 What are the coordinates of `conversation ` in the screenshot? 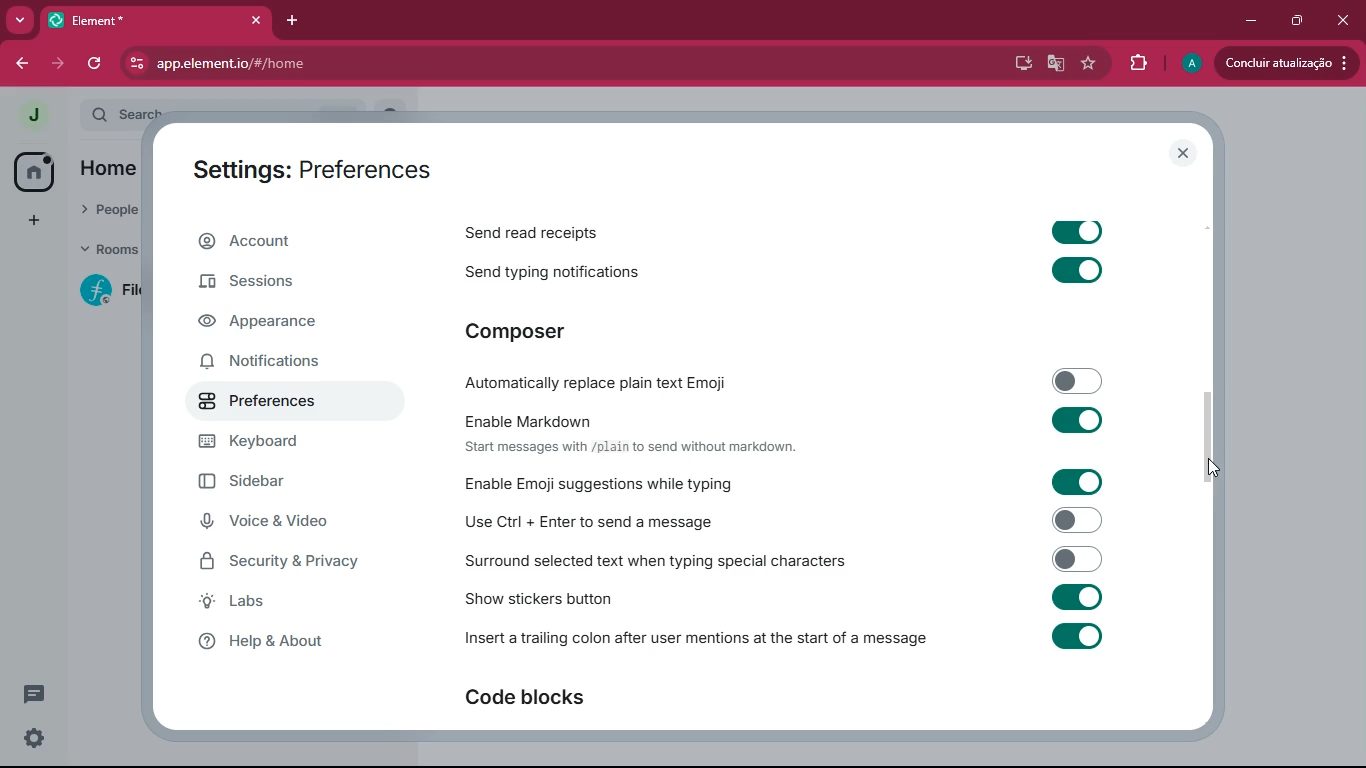 It's located at (32, 694).